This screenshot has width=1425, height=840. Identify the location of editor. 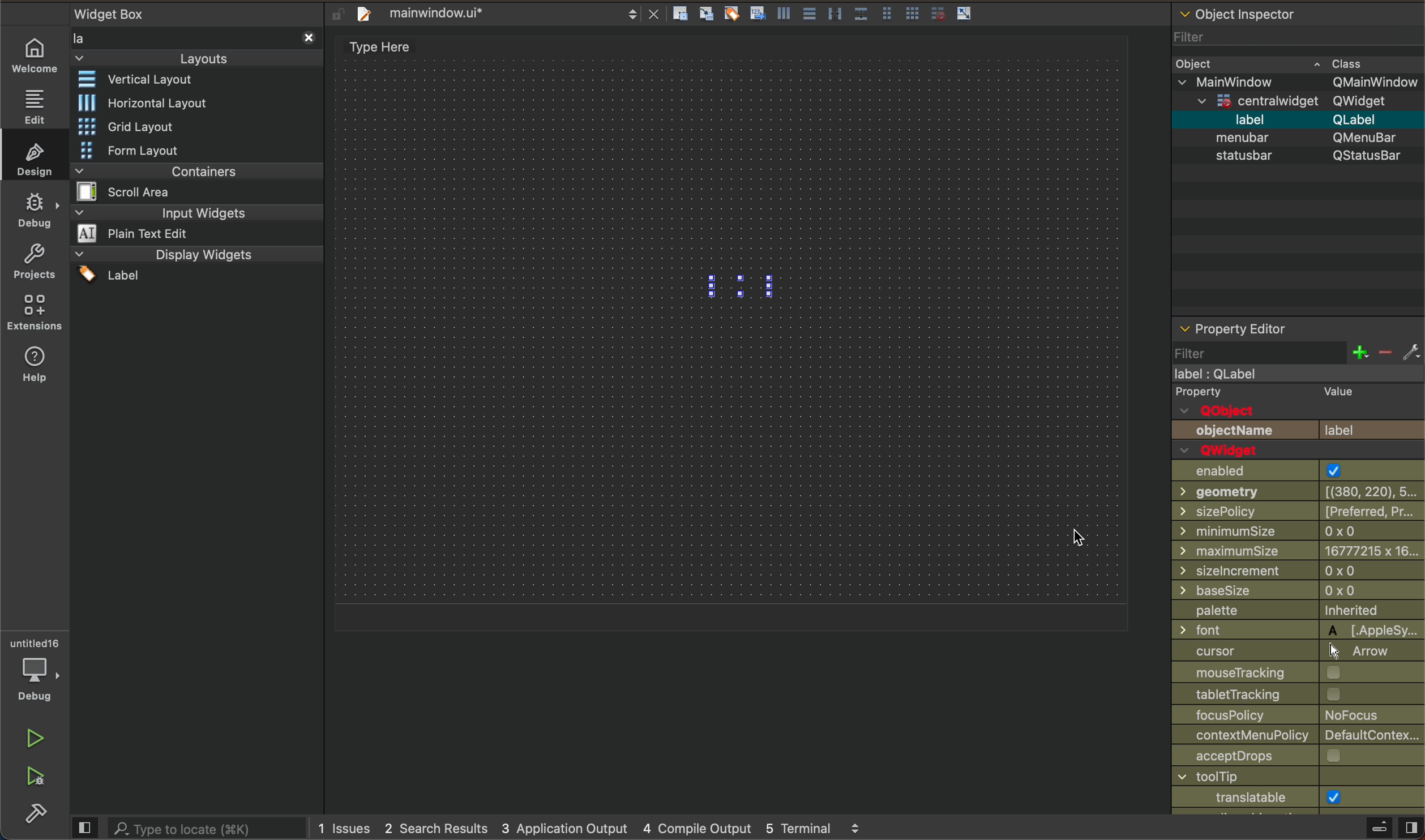
(36, 106).